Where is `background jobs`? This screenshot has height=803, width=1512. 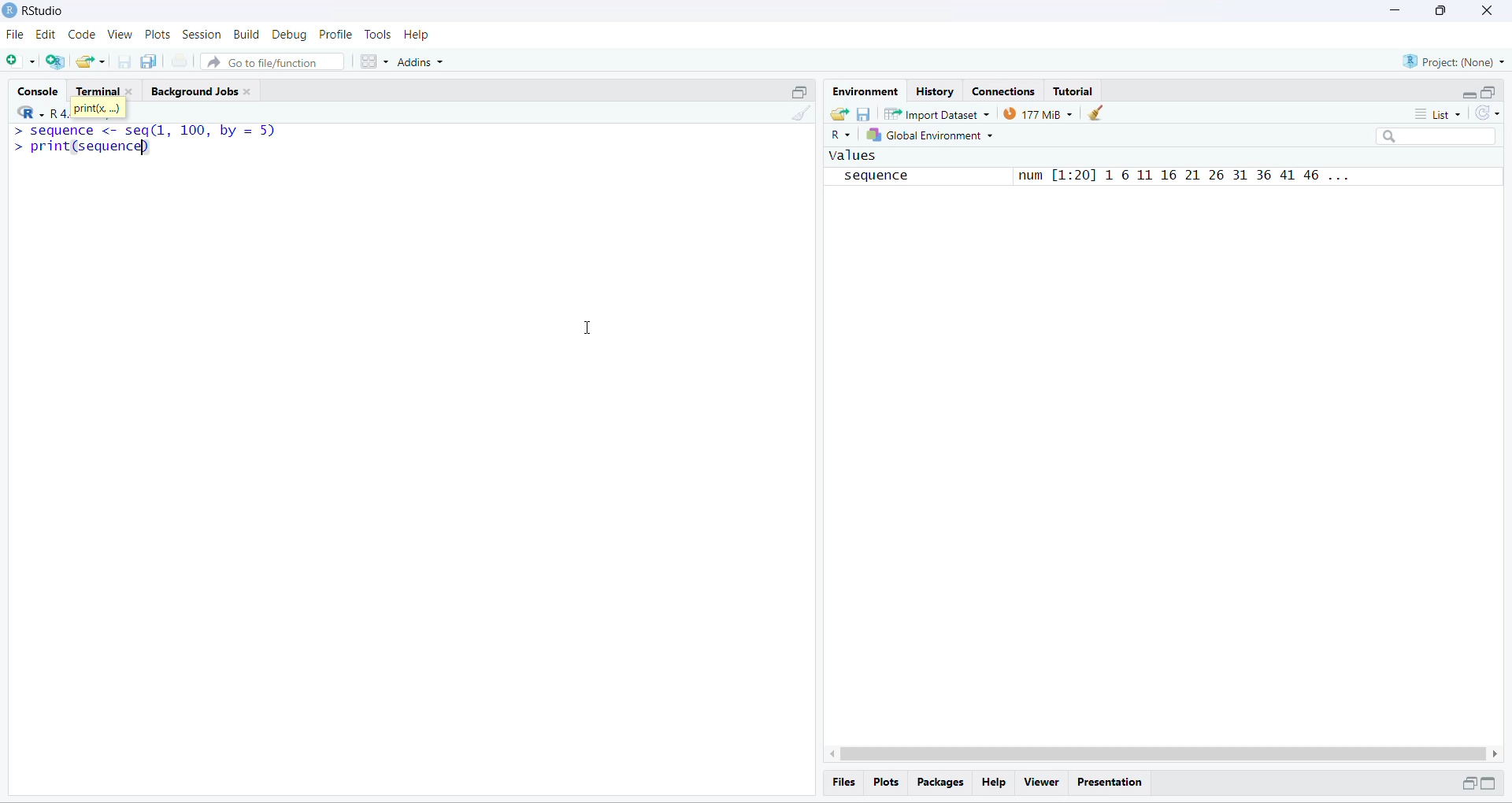 background jobs is located at coordinates (194, 92).